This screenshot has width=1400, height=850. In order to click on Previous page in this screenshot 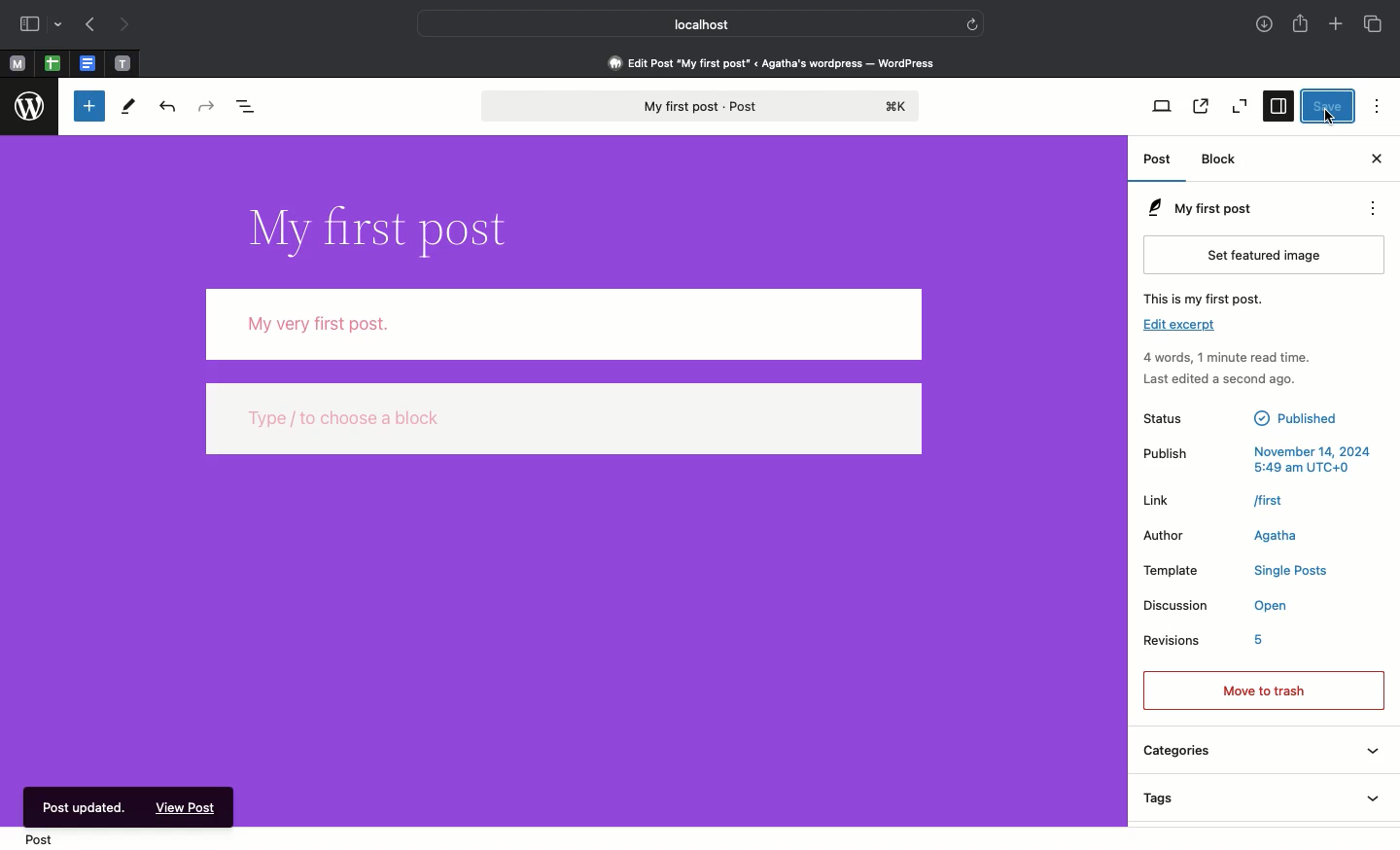, I will do `click(89, 25)`.